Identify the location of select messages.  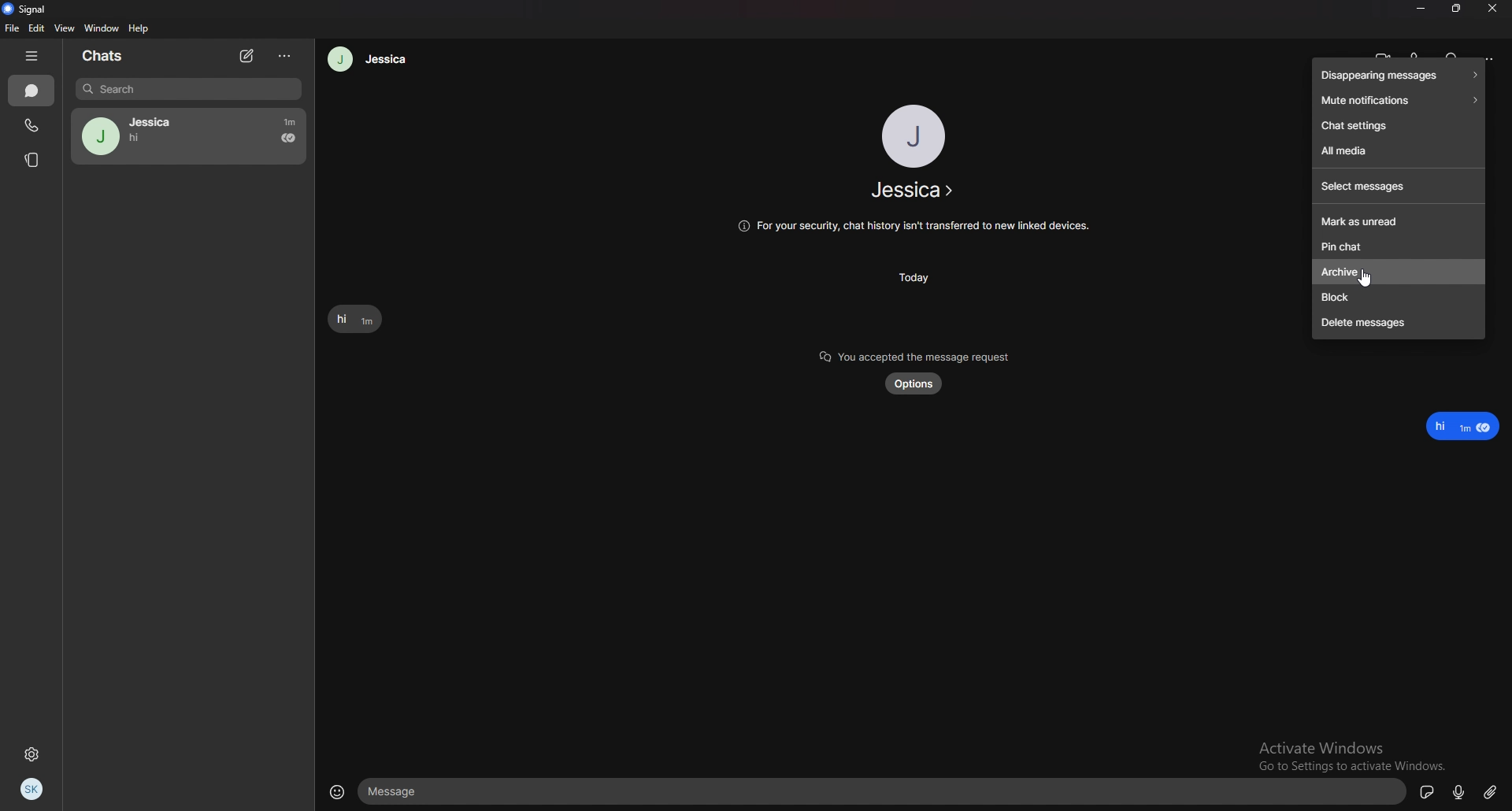
(1397, 187).